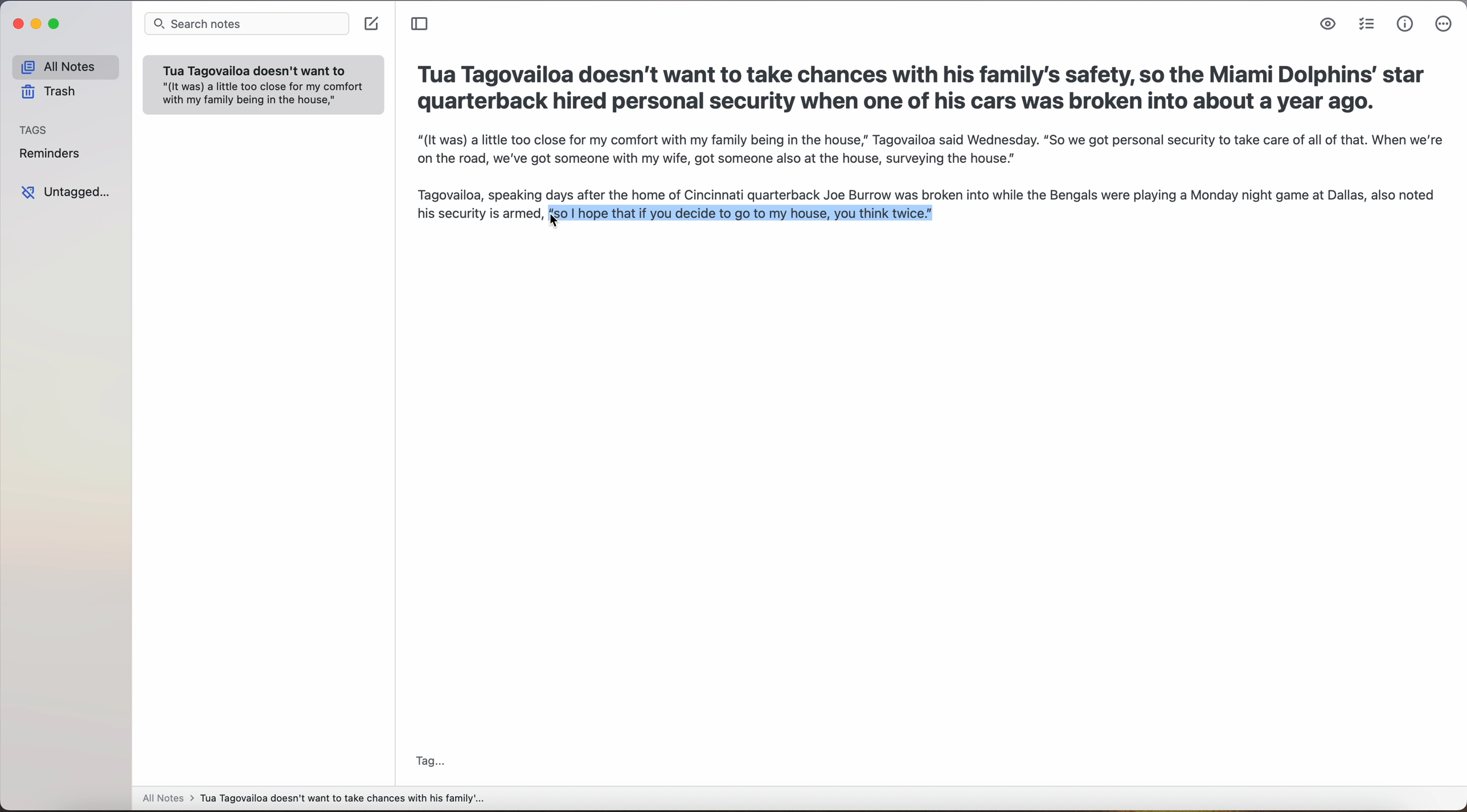 Image resolution: width=1467 pixels, height=812 pixels. Describe the element at coordinates (1404, 24) in the screenshot. I see `metrics` at that location.